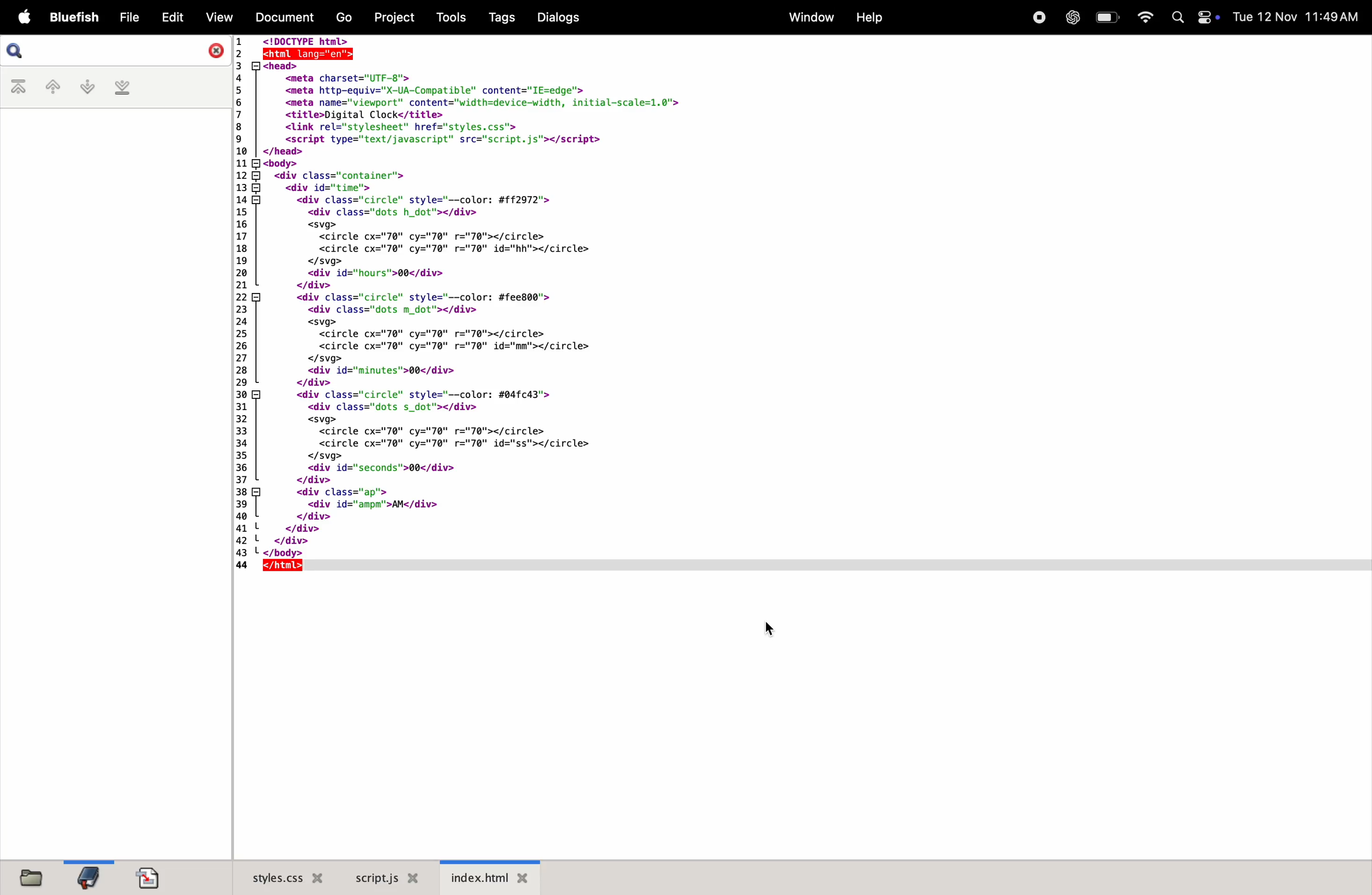 The image size is (1372, 895). Describe the element at coordinates (85, 86) in the screenshot. I see `next bookmark` at that location.